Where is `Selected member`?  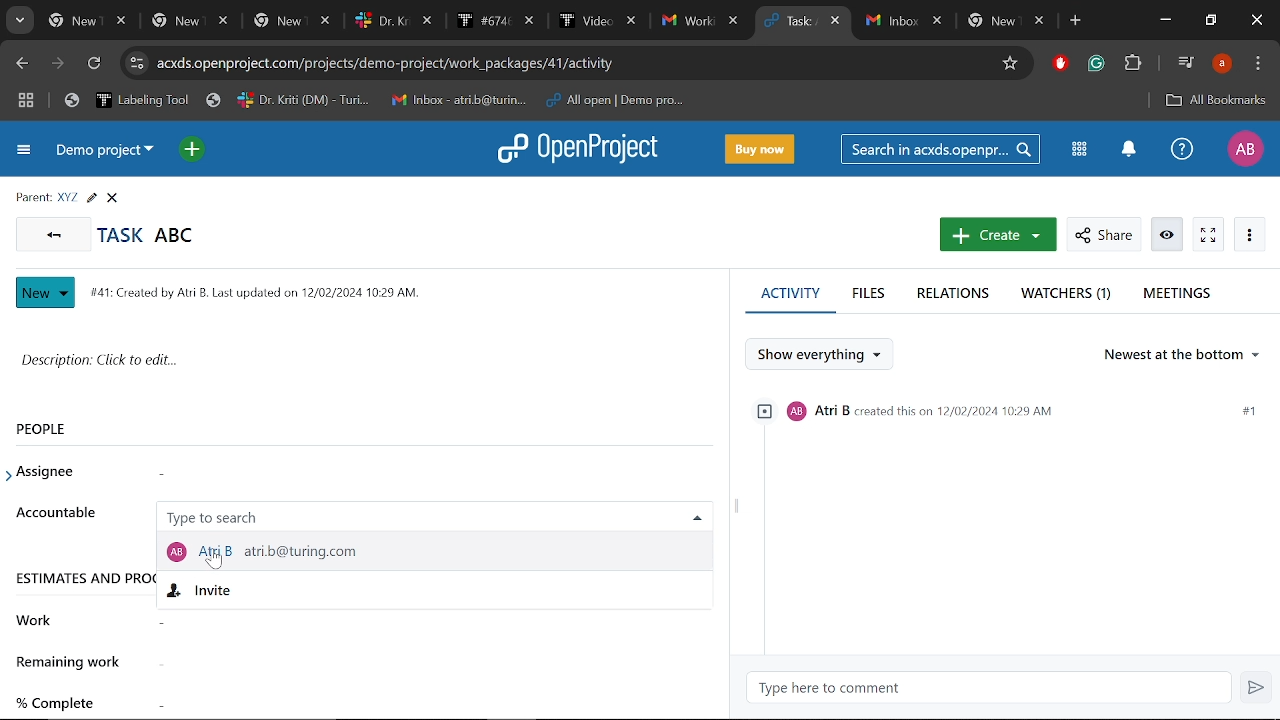
Selected member is located at coordinates (437, 549).